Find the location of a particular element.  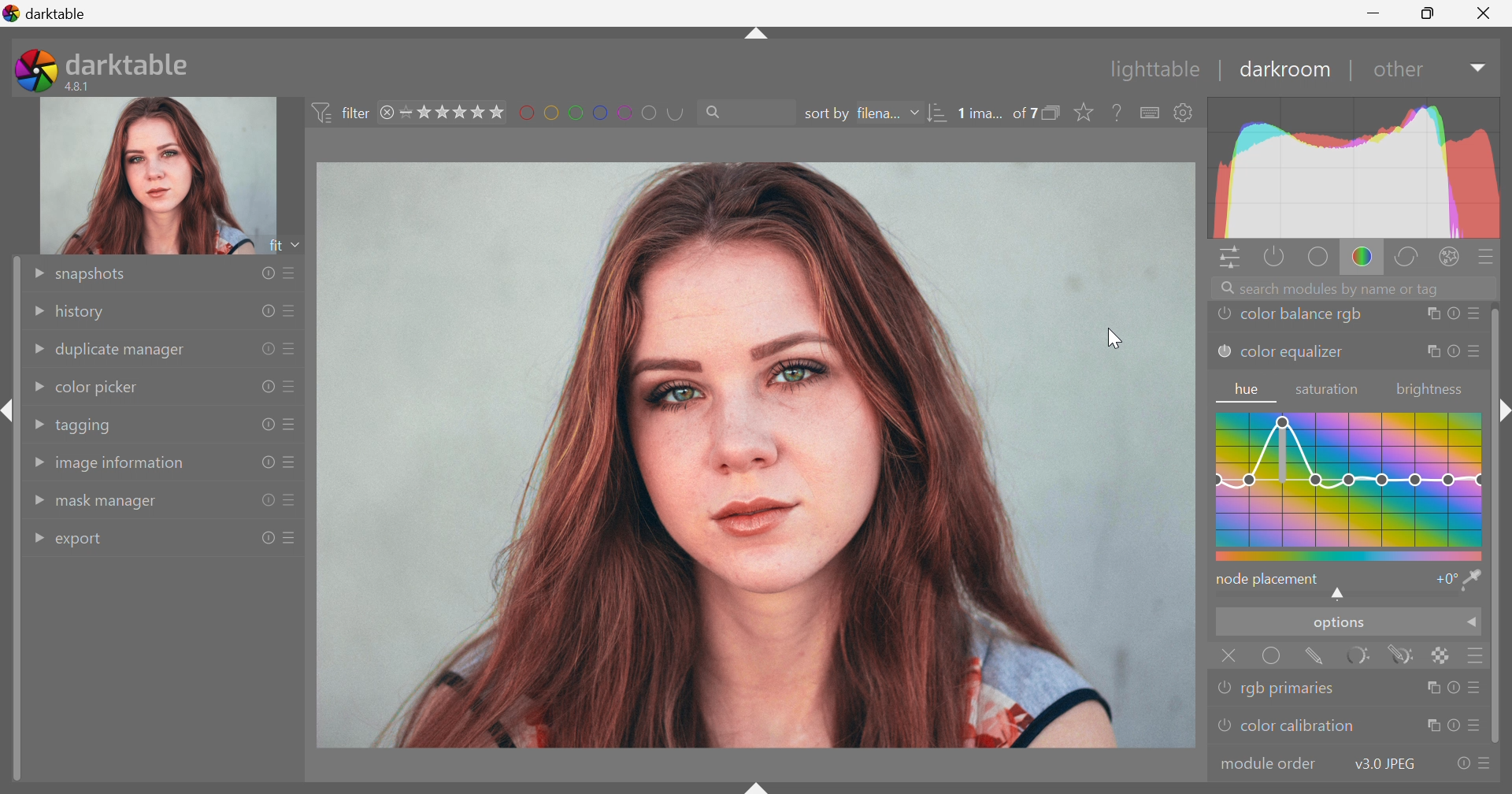

shift+ctrl+b is located at coordinates (758, 785).